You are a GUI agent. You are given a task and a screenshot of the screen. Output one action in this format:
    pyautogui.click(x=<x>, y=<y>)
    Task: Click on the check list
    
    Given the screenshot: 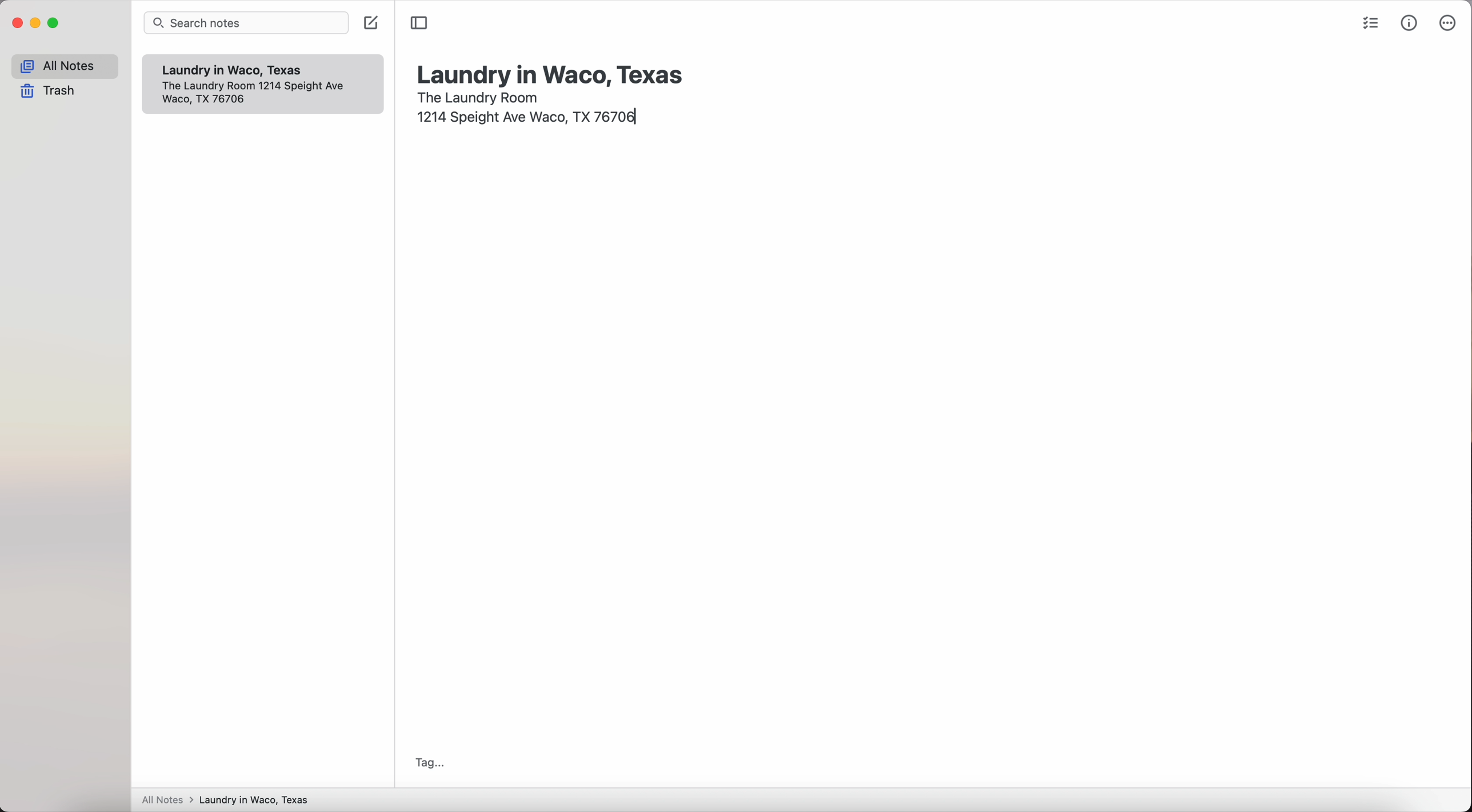 What is the action you would take?
    pyautogui.click(x=1368, y=25)
    